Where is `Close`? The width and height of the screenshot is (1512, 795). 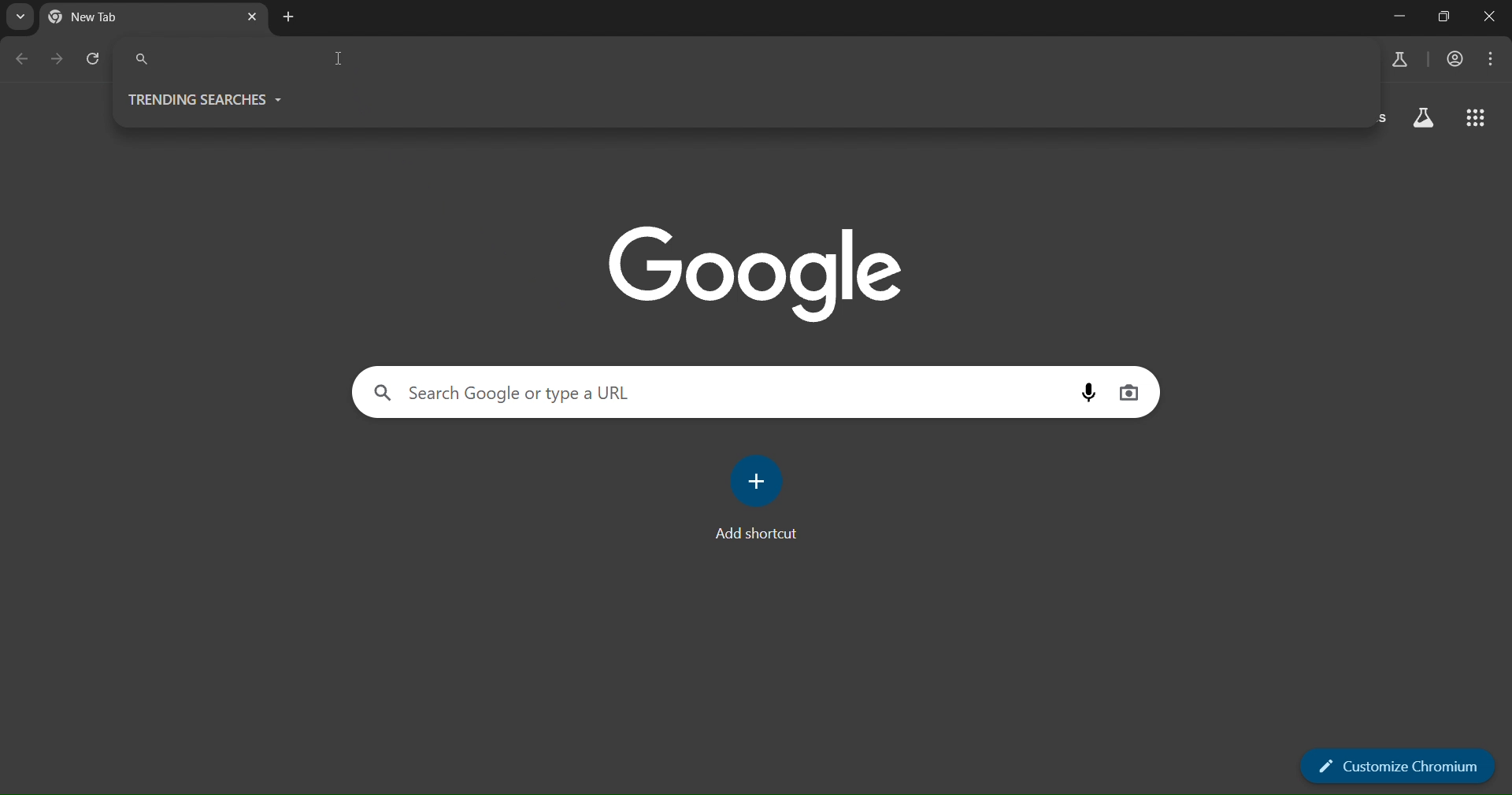 Close is located at coordinates (1492, 17).